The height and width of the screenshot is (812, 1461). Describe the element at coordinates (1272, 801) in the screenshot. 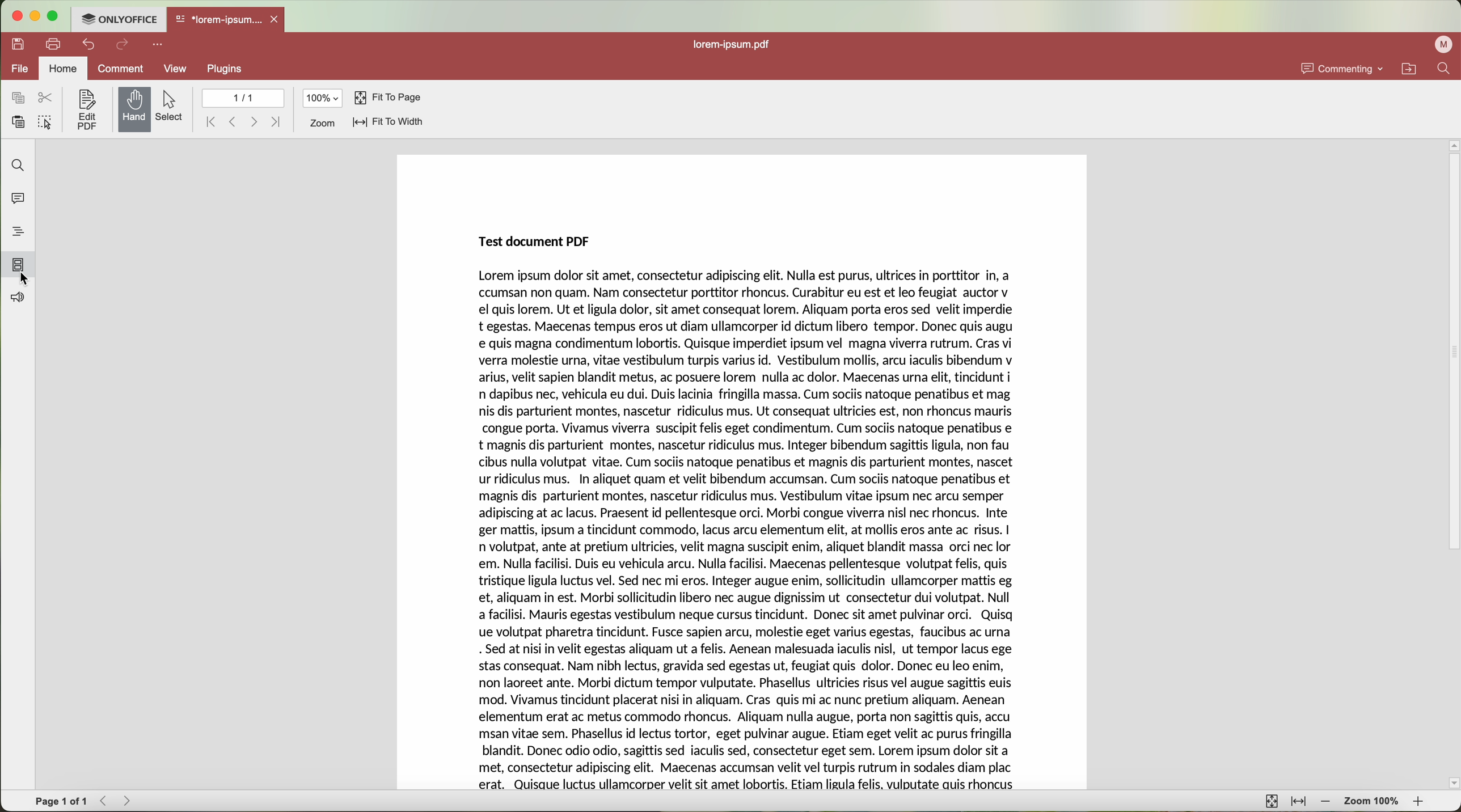

I see `fit to page` at that location.